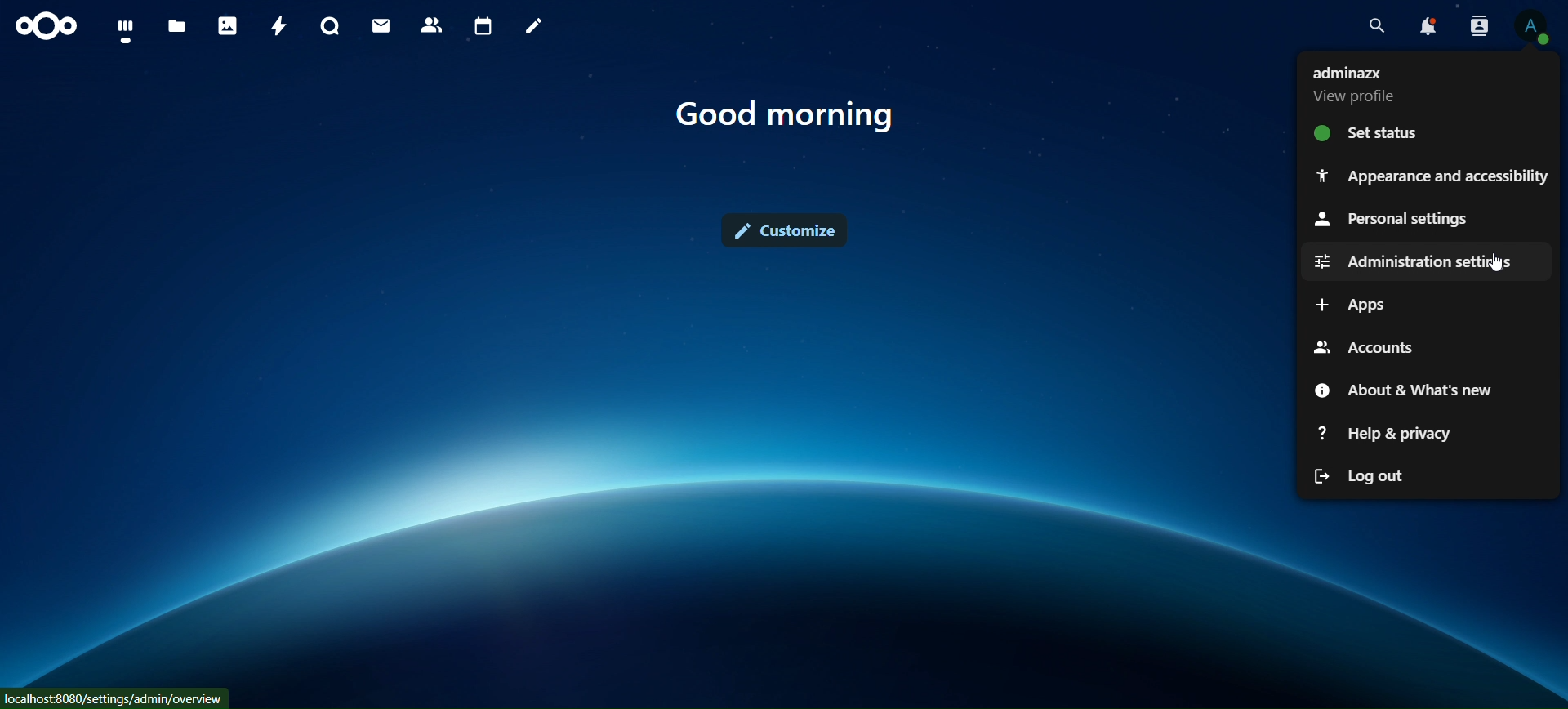  What do you see at coordinates (793, 118) in the screenshot?
I see `text` at bounding box center [793, 118].